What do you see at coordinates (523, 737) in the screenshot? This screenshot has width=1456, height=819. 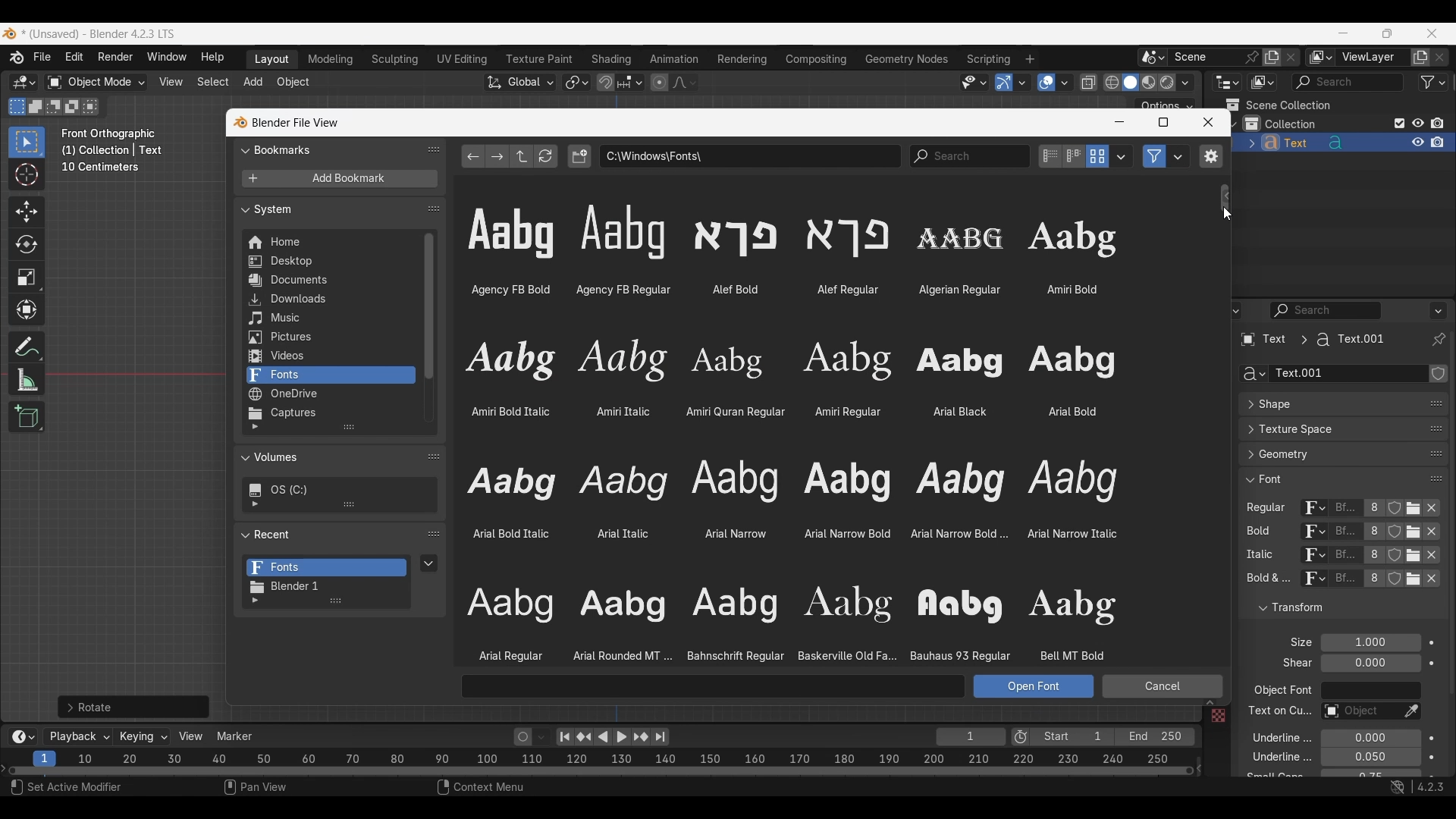 I see `Auto keying ` at bounding box center [523, 737].